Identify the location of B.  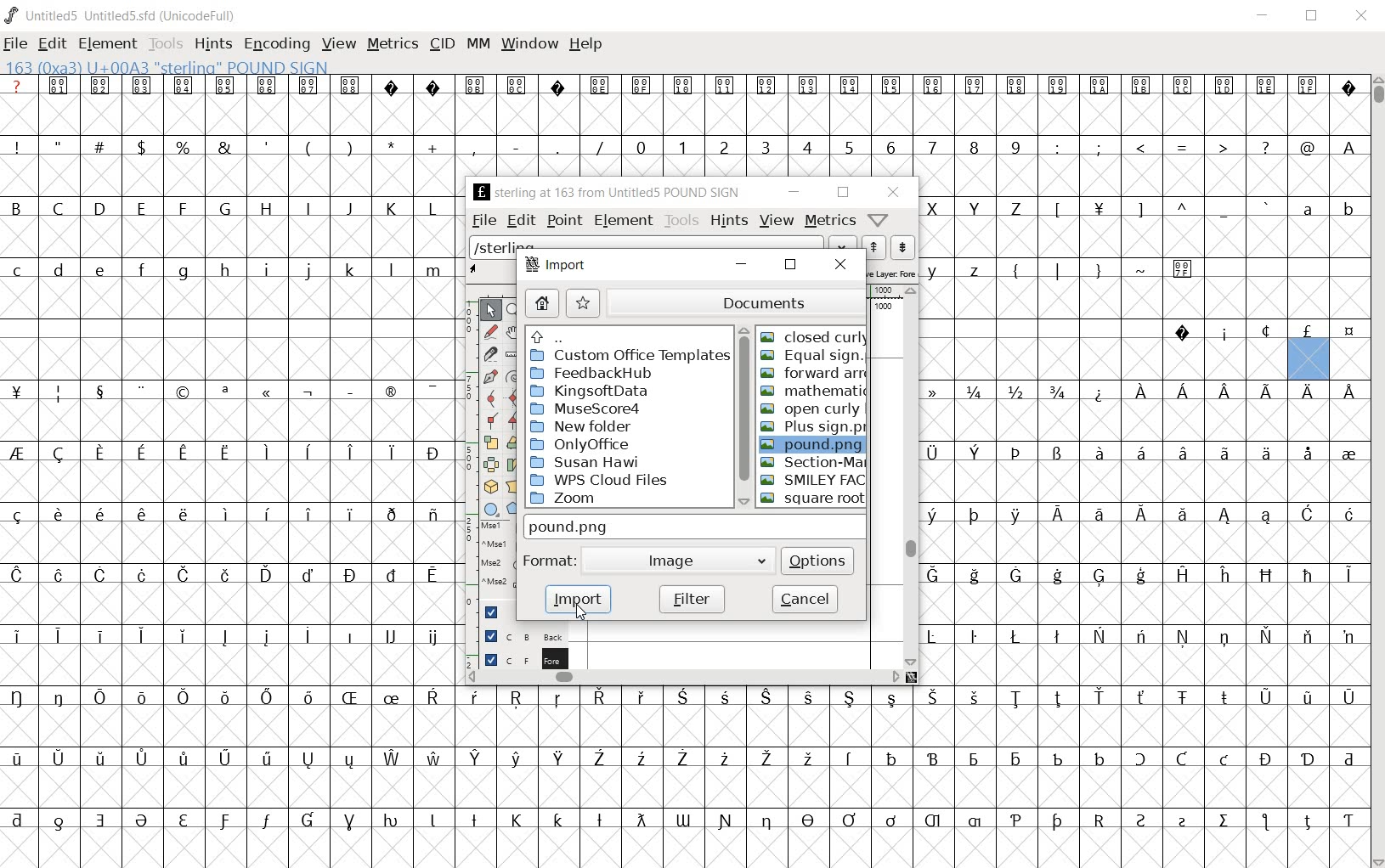
(22, 206).